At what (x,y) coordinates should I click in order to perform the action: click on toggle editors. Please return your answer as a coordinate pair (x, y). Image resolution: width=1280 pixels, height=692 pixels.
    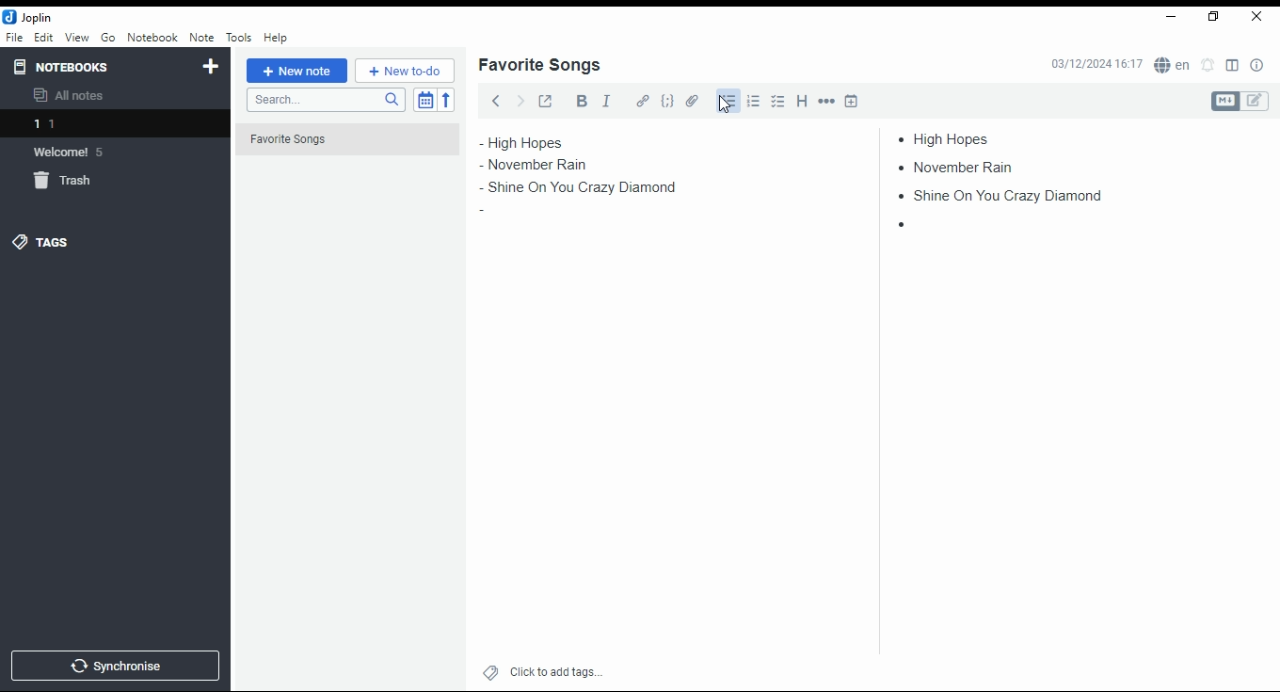
    Looking at the image, I should click on (1240, 101).